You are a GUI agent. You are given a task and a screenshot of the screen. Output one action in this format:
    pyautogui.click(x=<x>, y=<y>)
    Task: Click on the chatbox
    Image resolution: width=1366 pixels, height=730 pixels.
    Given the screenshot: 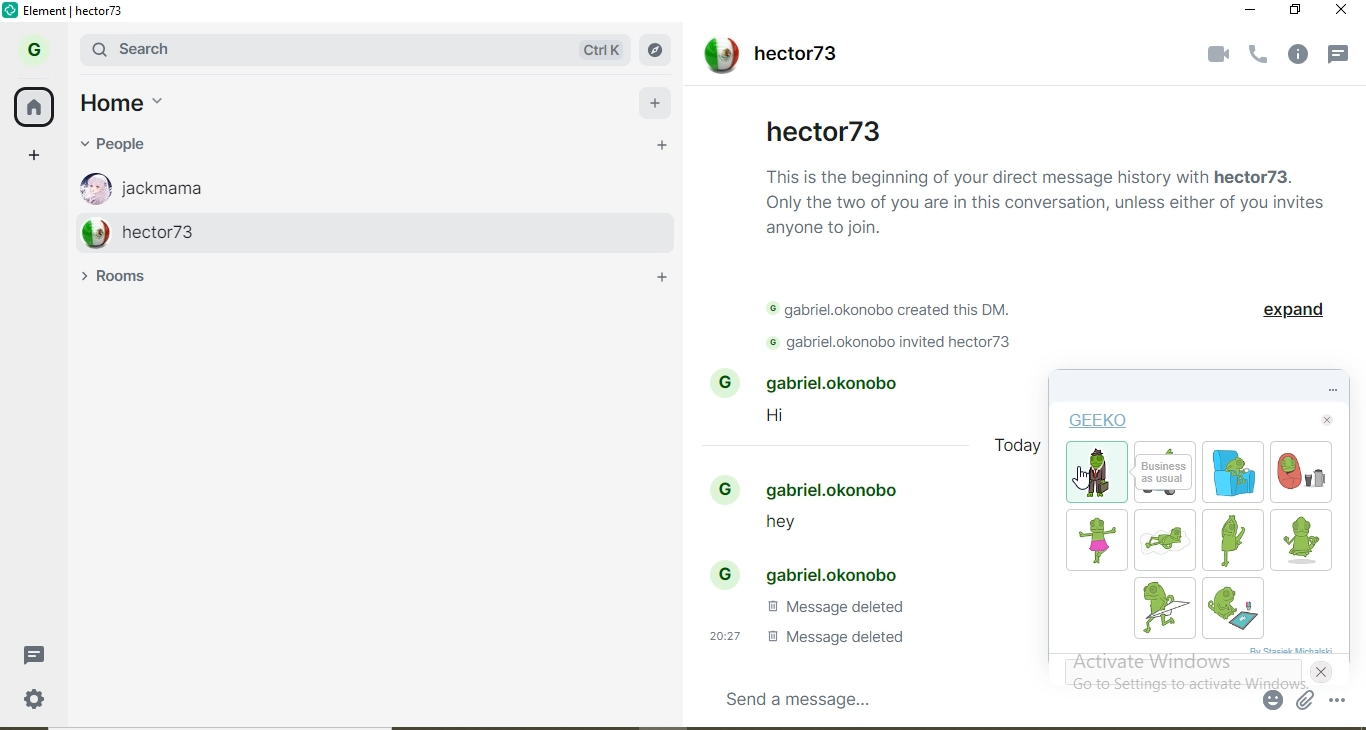 What is the action you would take?
    pyautogui.click(x=976, y=698)
    